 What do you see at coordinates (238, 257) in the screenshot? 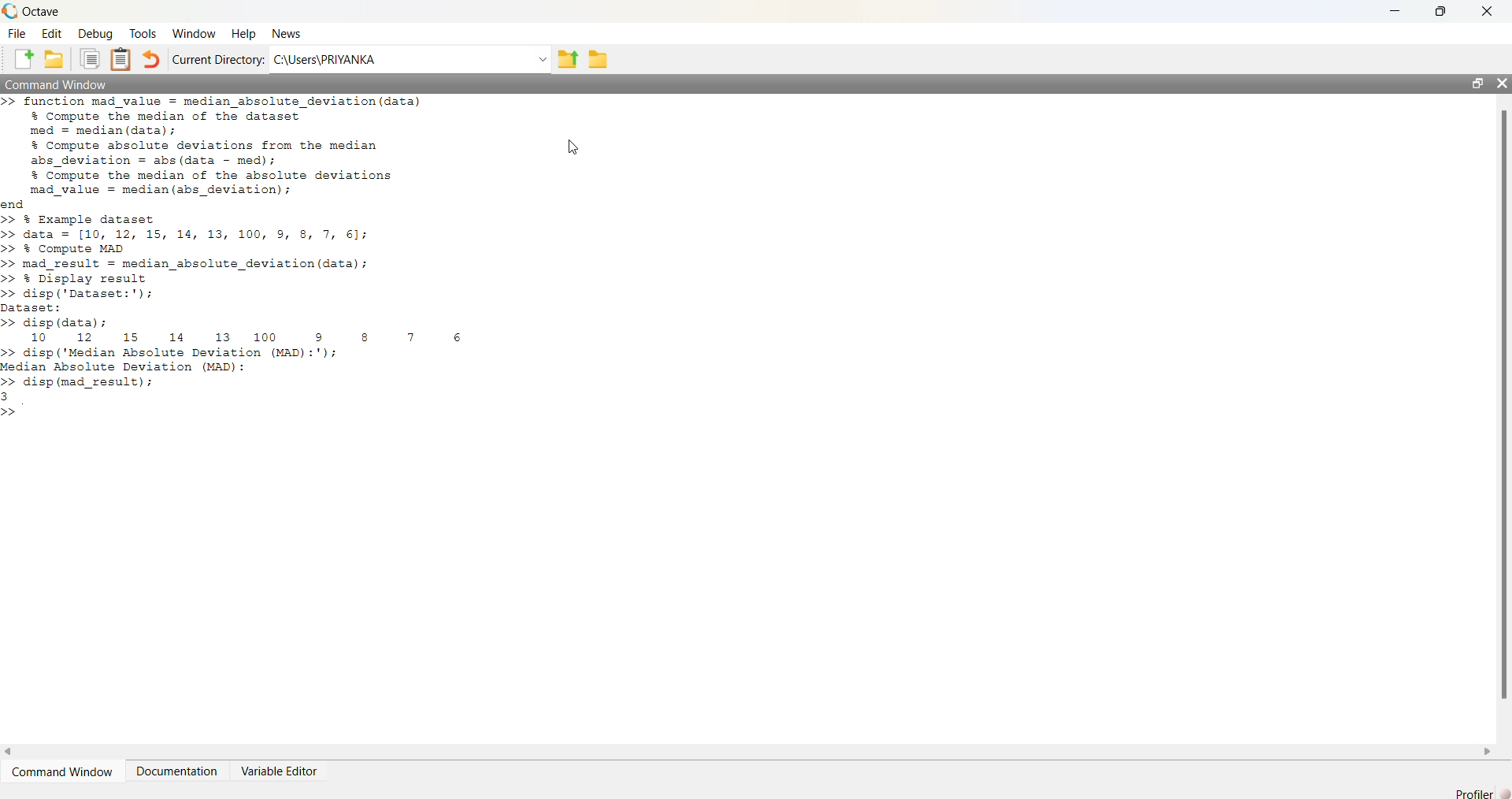
I see `>> function mad value = median_absolute_deviation(data)
% Compute the median of the dataset
med = median (data);
% Compute absolute deviations from the median
abs_deviation = abs (data - med);
% Compute the median of the absolute deviations
mad_value = median (abs_deviation);
end
>> % Example dataset
>> data = [10, 12, 15, 14, 13, 100, 9, 8, 7, 61;
>> % Compute MAD
>> mad_result = median_absolute_deviation (data);
>> % Display result
>> disp ('Dataset:');
Dataset:
>> disp (data) ;
10 12 15 14 13 100 9 8 7 6
>> disp ('Median Absolute Deviation (MAD):');
Median Absolute Deviation (MAD):
>> disp (mad_result);
3
>>` at bounding box center [238, 257].